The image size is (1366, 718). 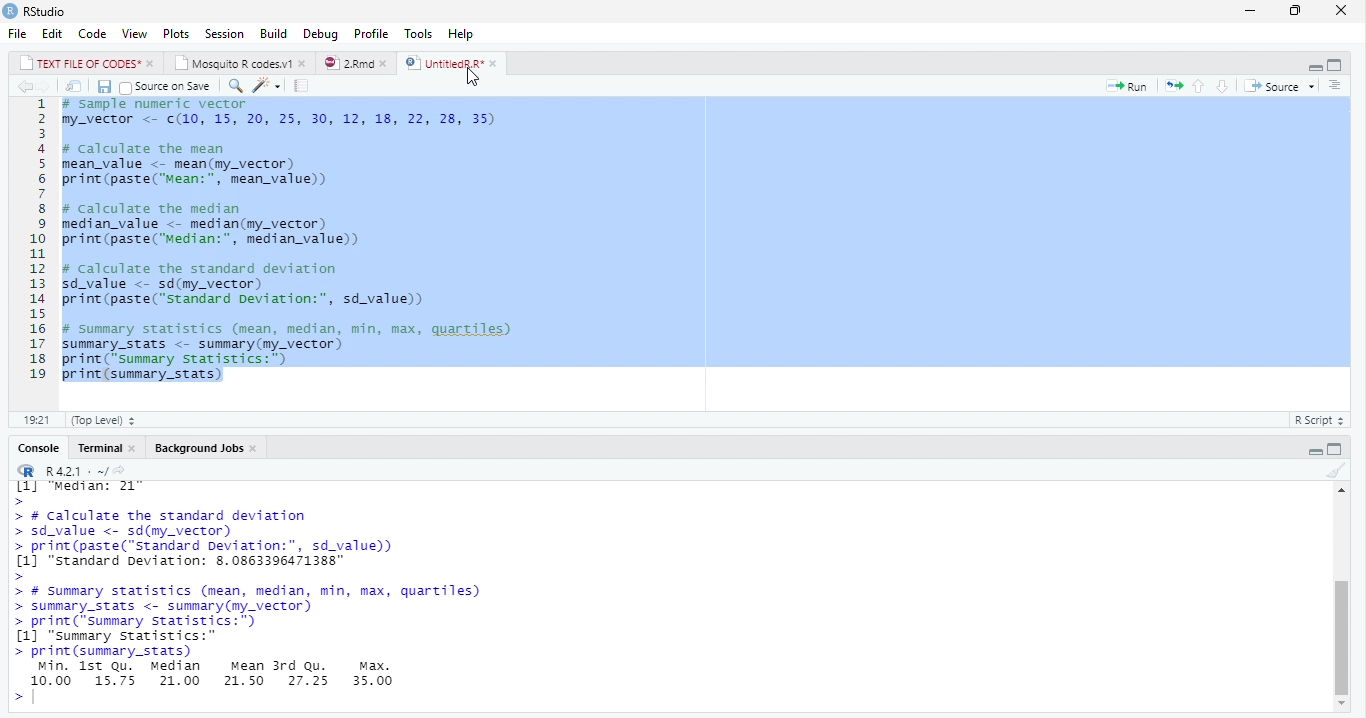 I want to click on 1:1, so click(x=35, y=420).